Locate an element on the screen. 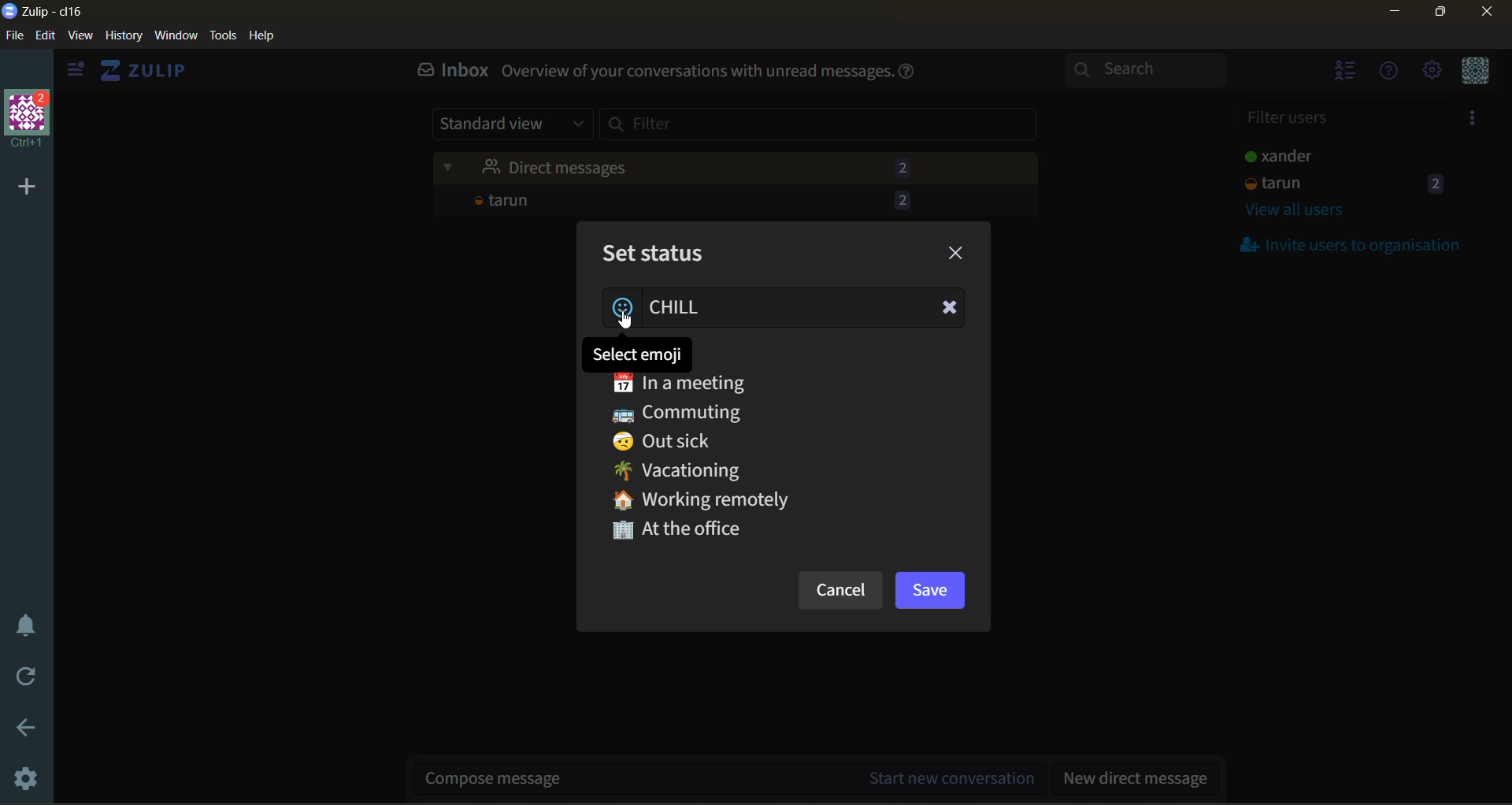 This screenshot has width=1512, height=805. edit is located at coordinates (50, 36).